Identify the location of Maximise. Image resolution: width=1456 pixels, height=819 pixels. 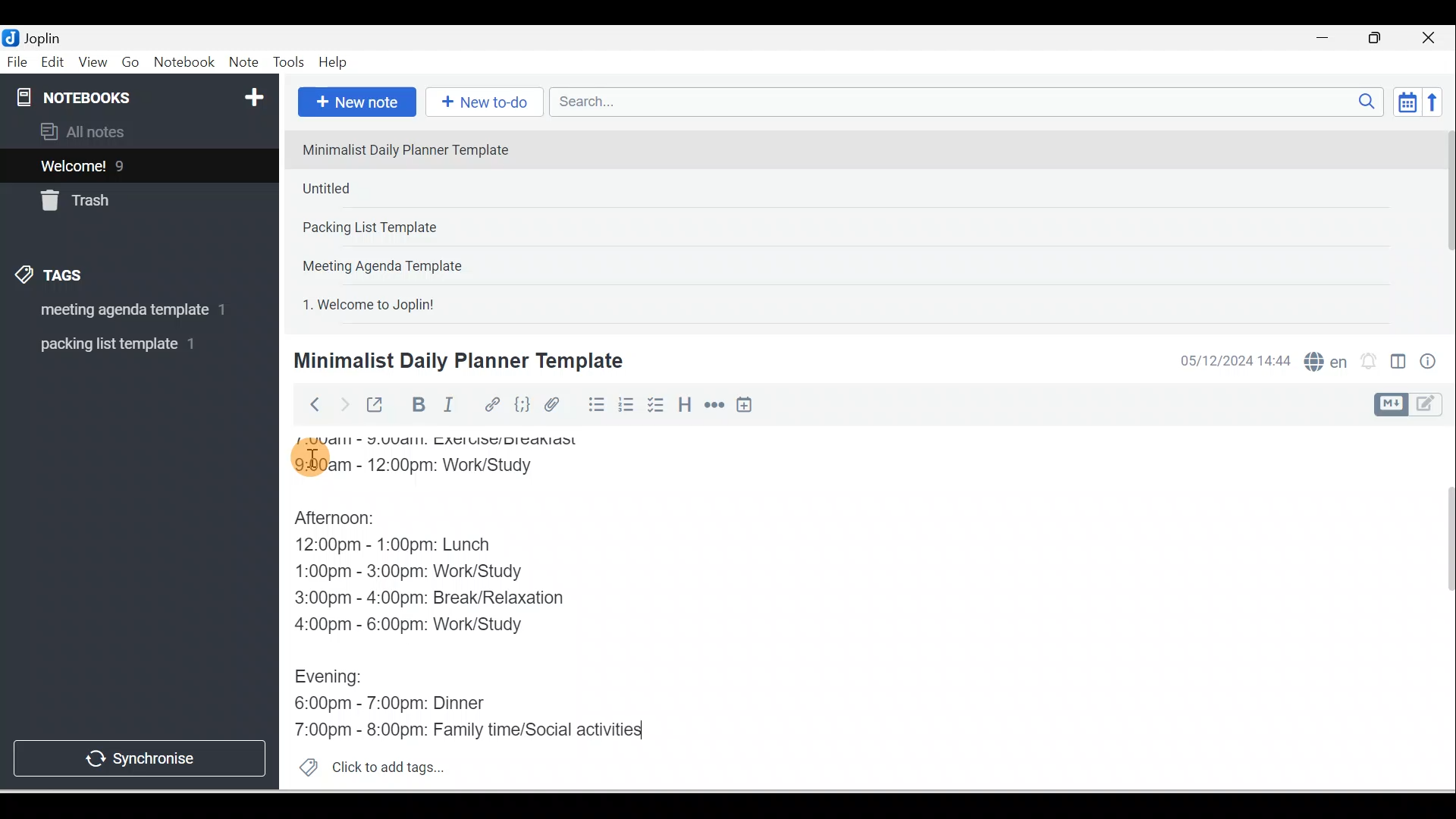
(1380, 39).